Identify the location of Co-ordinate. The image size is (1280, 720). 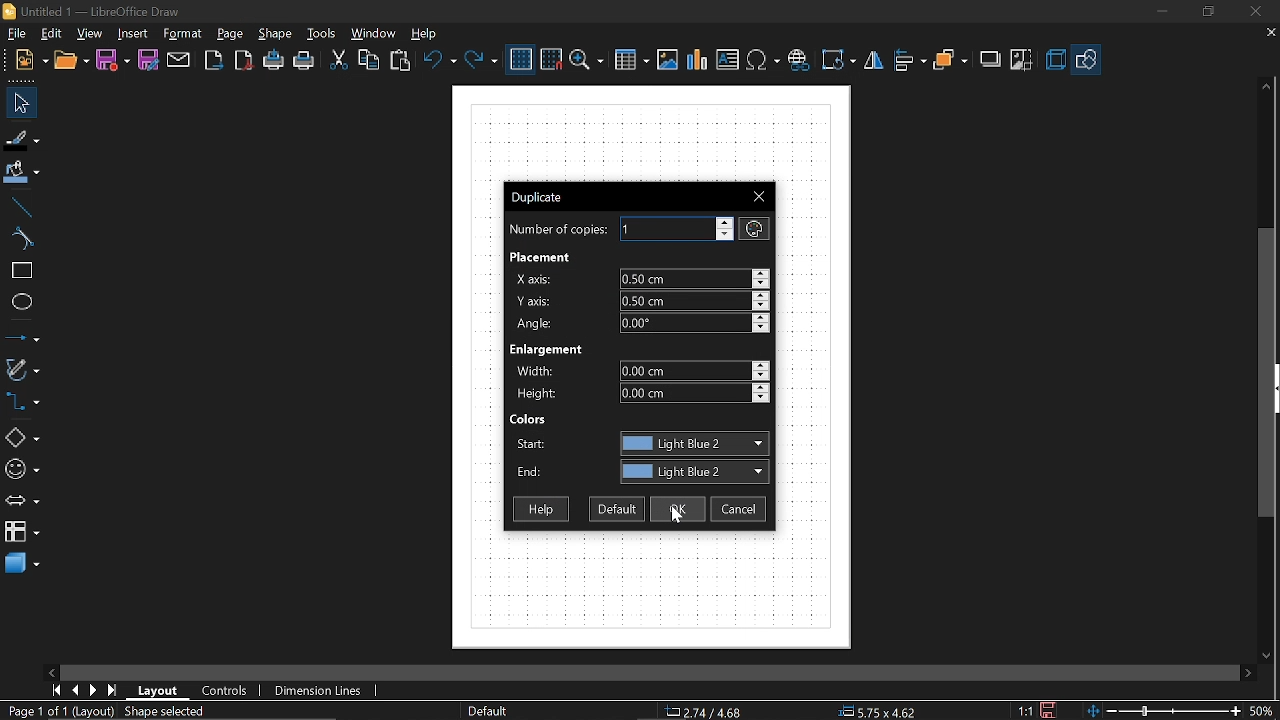
(701, 712).